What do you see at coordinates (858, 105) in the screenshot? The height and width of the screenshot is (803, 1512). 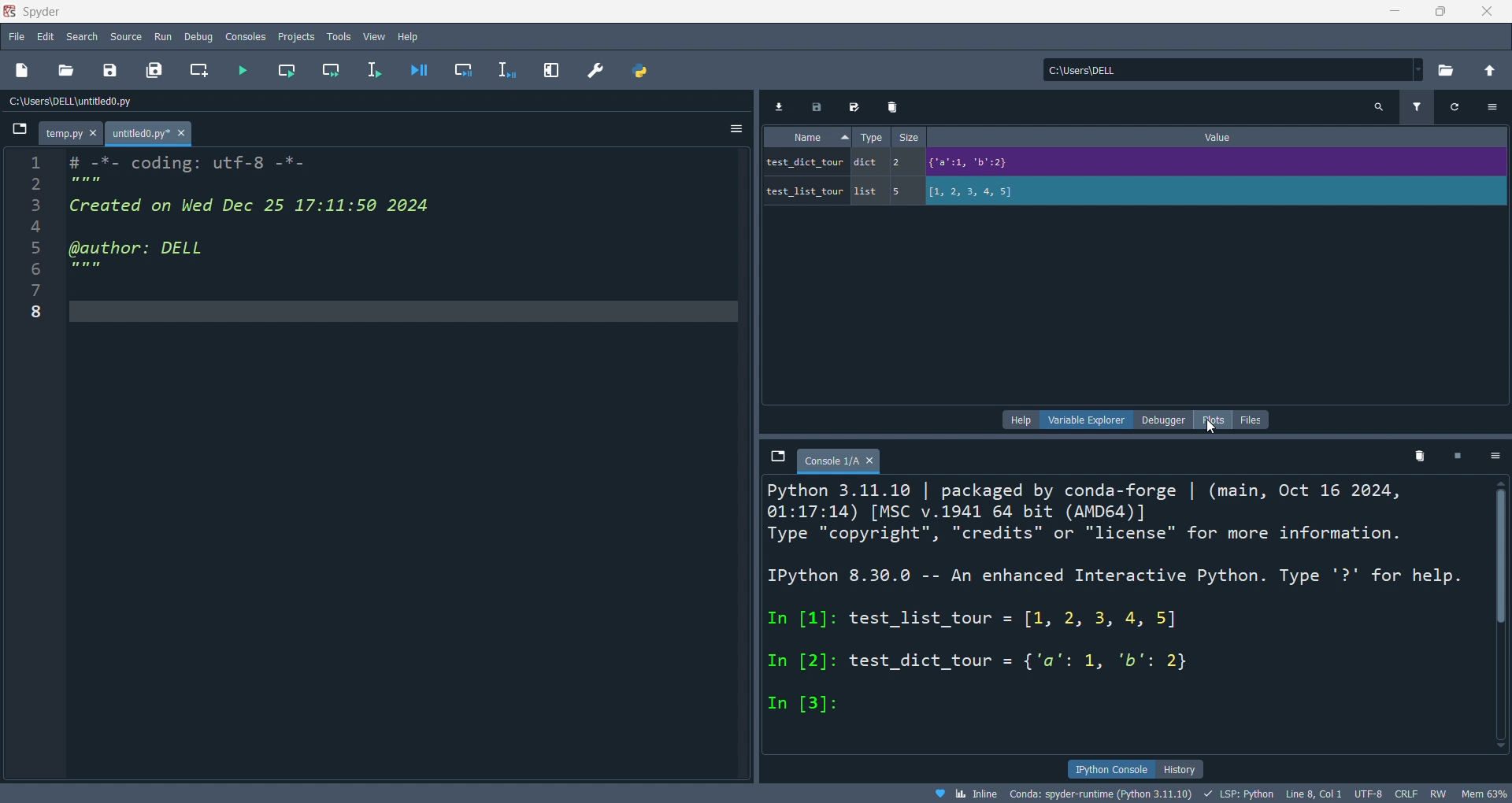 I see `save as data` at bounding box center [858, 105].